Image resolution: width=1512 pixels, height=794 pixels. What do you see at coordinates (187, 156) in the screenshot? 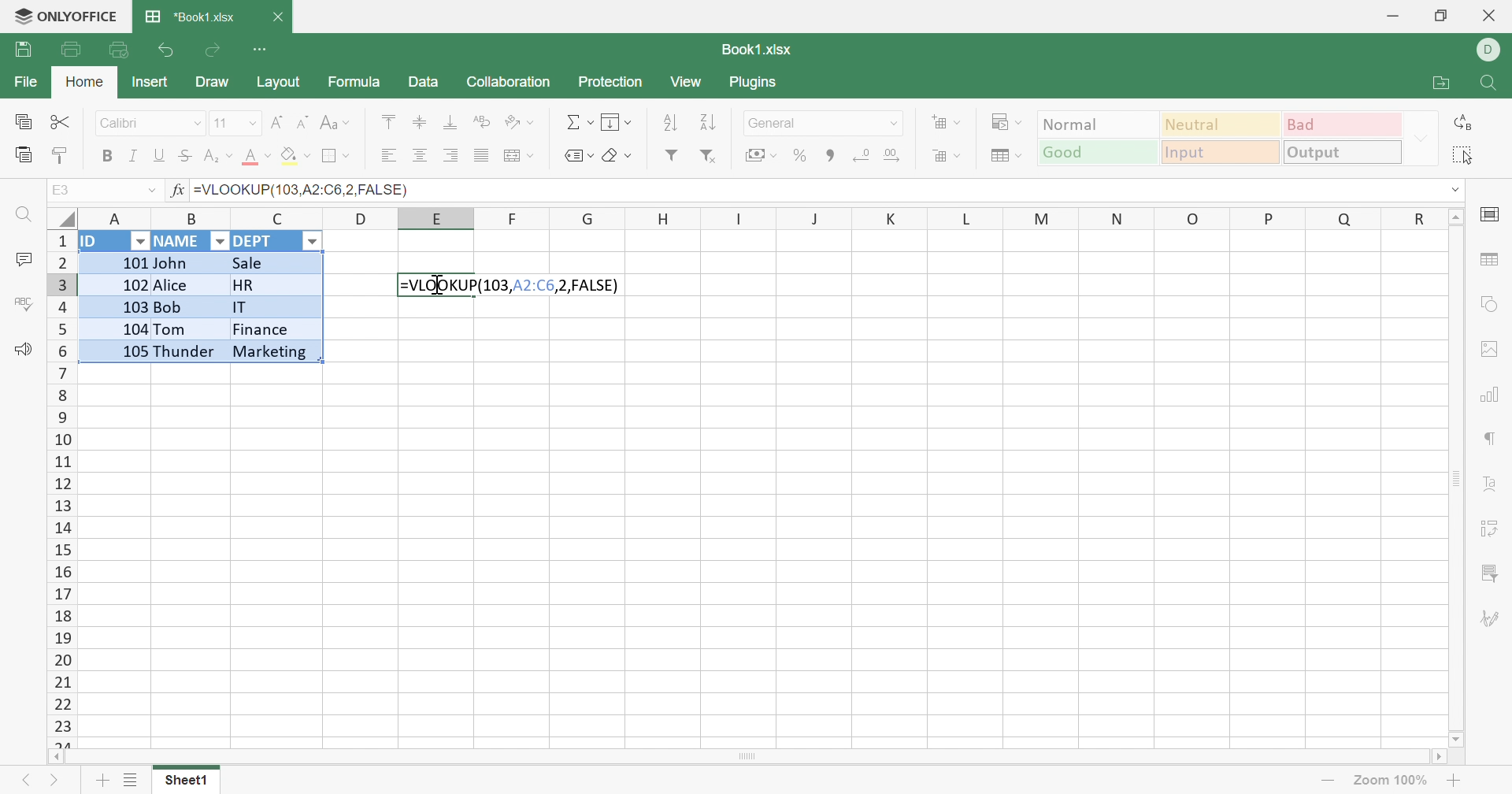
I see `Strikethrough` at bounding box center [187, 156].